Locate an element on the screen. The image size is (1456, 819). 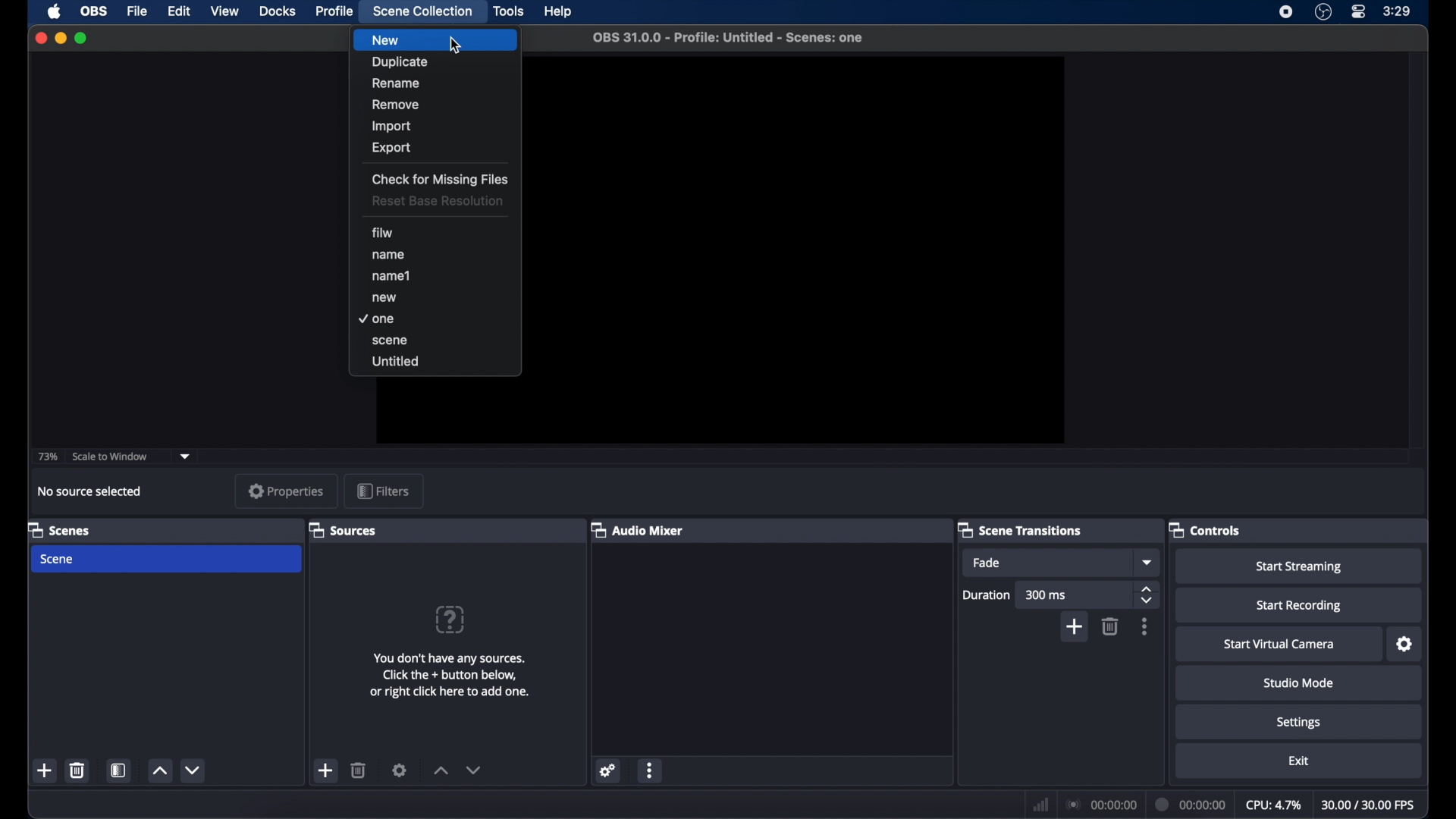
increment is located at coordinates (158, 772).